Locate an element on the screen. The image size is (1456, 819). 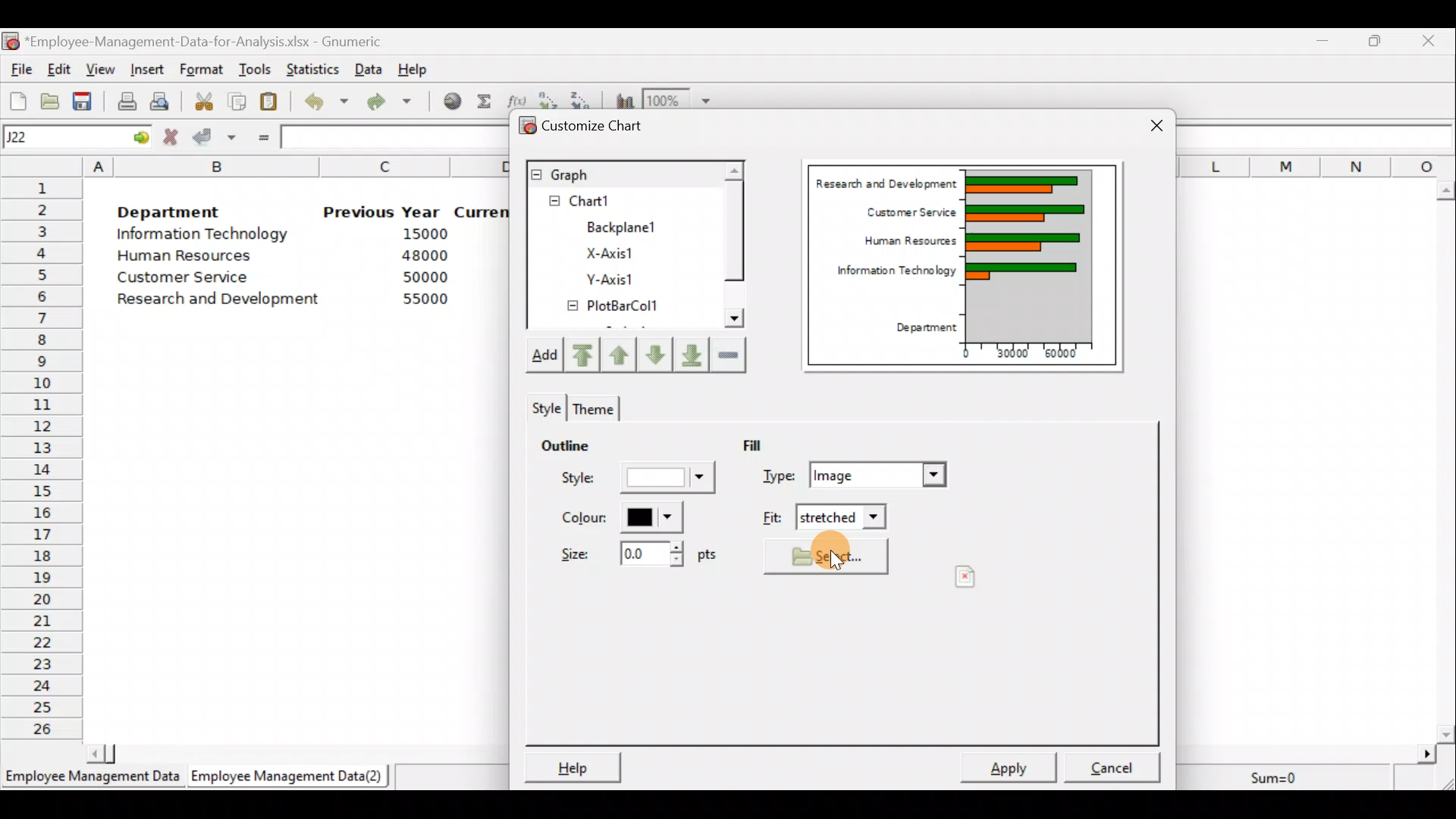
Scroll bar is located at coordinates (733, 247).